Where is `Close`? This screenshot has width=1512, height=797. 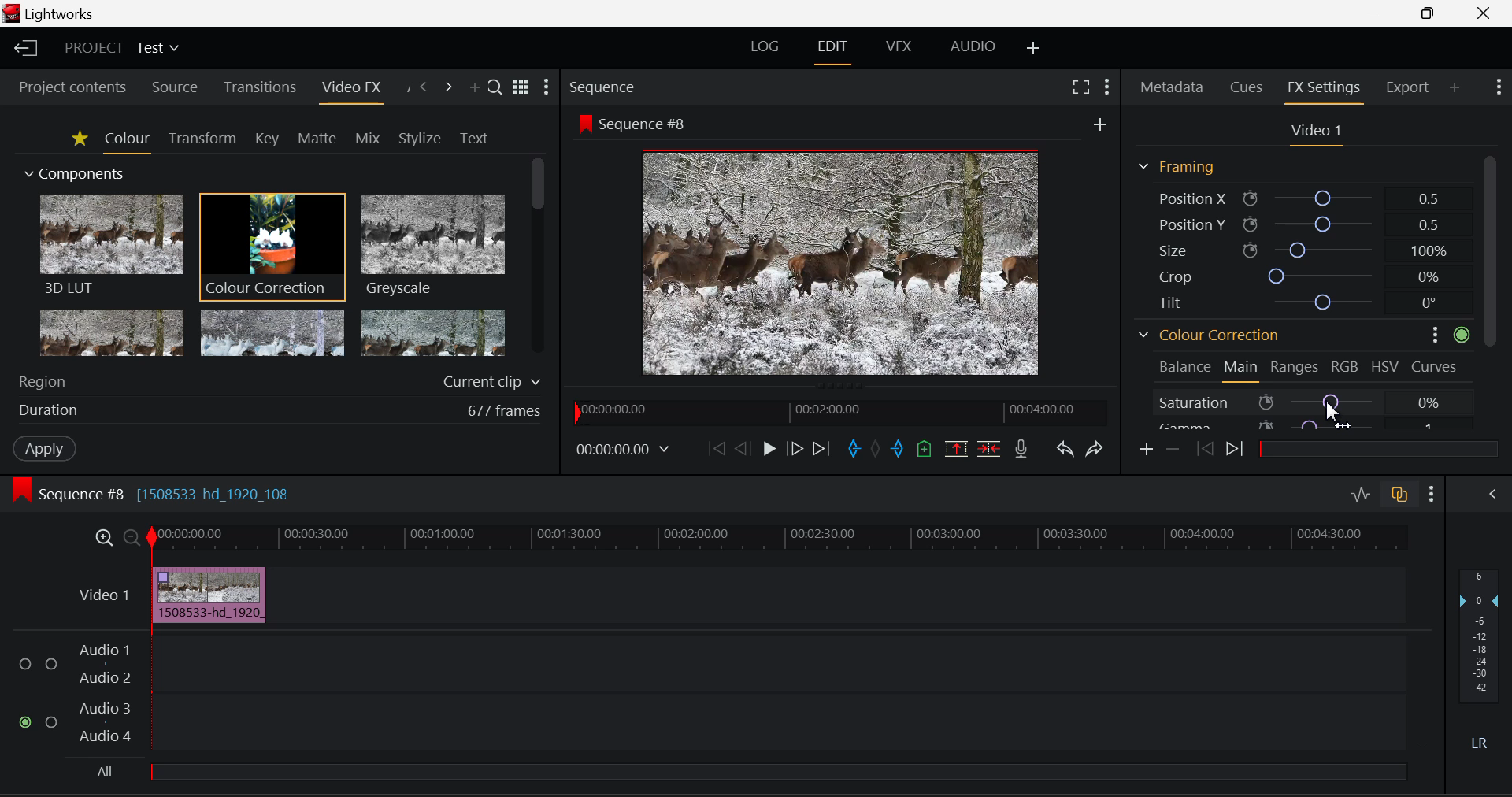 Close is located at coordinates (1483, 14).